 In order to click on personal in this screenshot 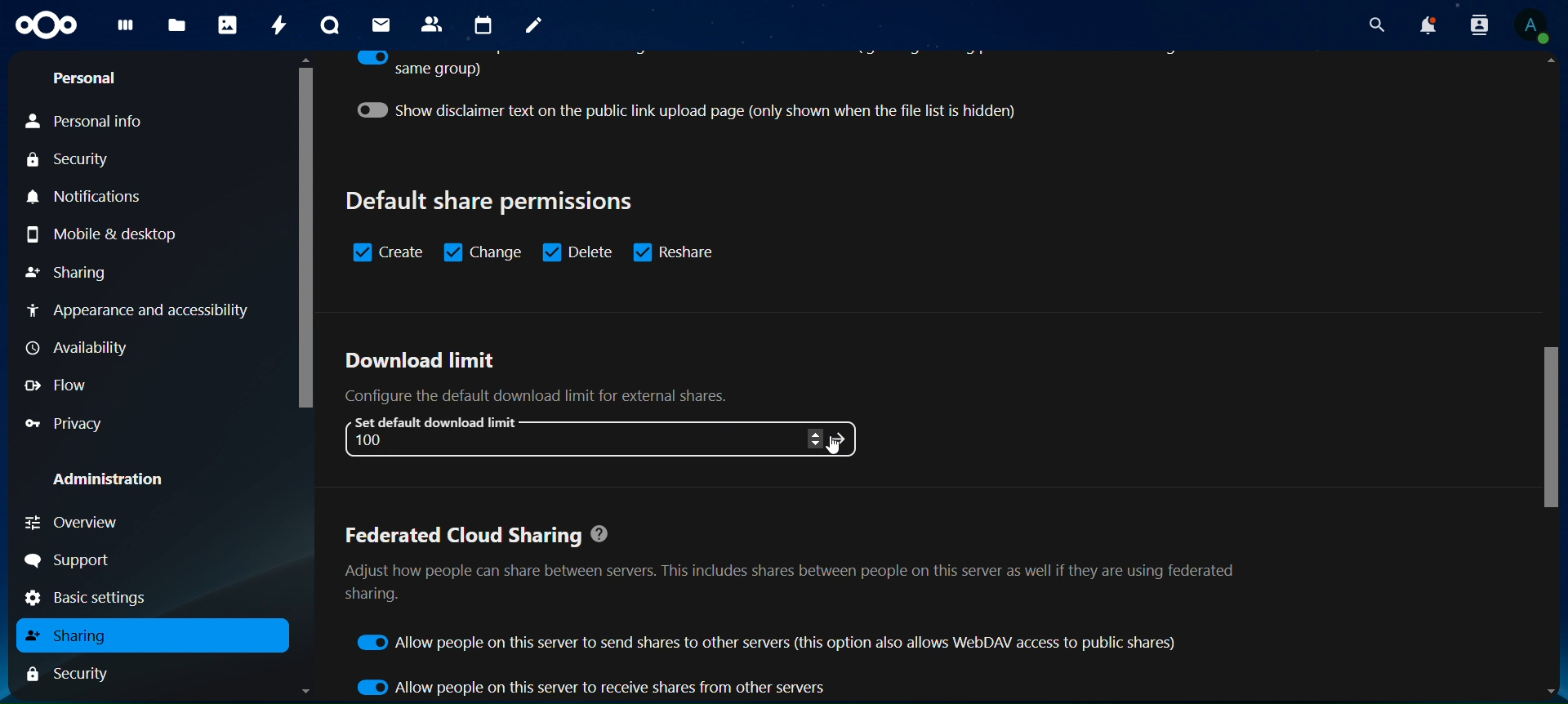, I will do `click(88, 77)`.